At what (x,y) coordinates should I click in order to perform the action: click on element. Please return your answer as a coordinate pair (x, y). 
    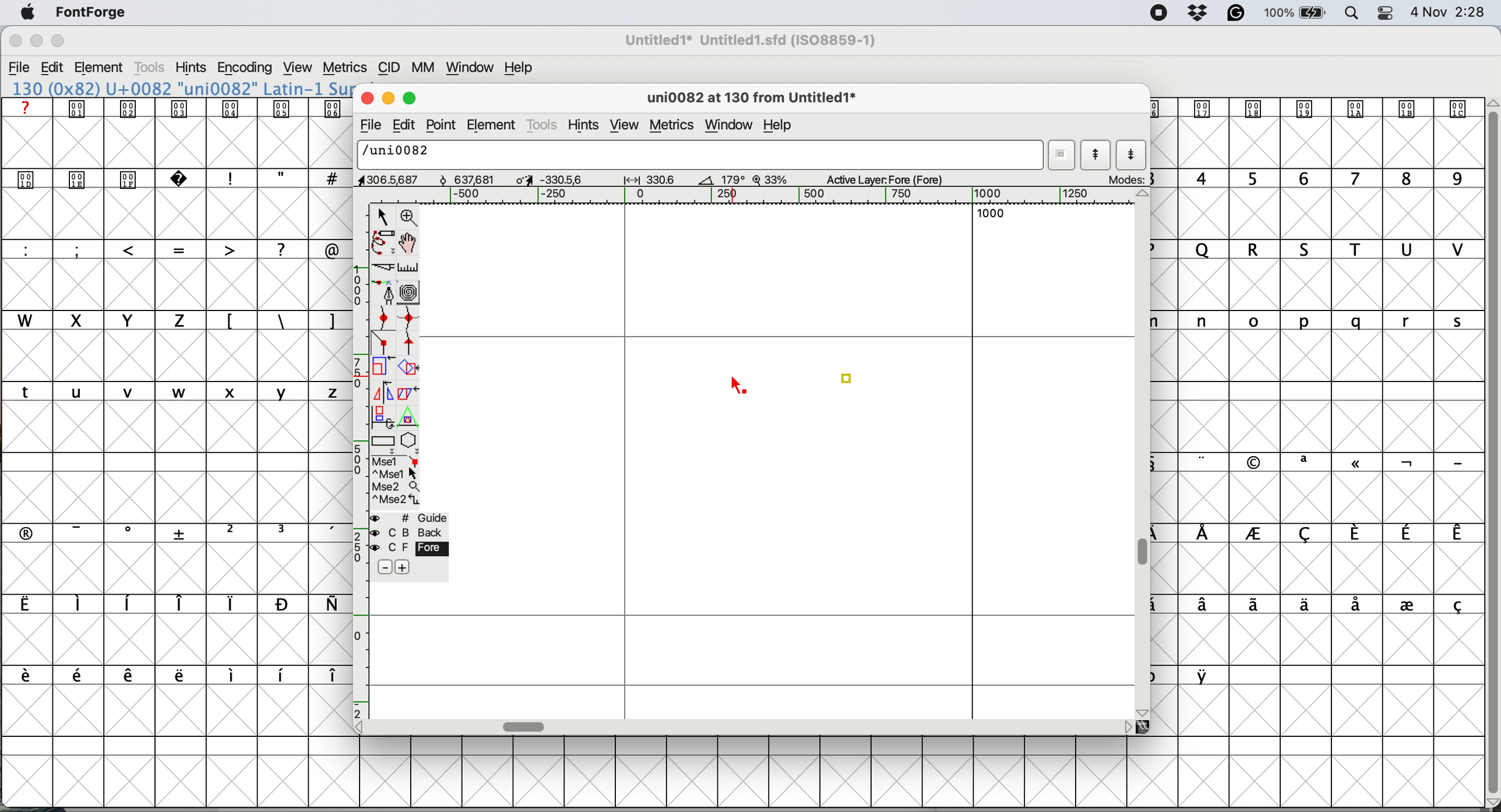
    Looking at the image, I should click on (100, 69).